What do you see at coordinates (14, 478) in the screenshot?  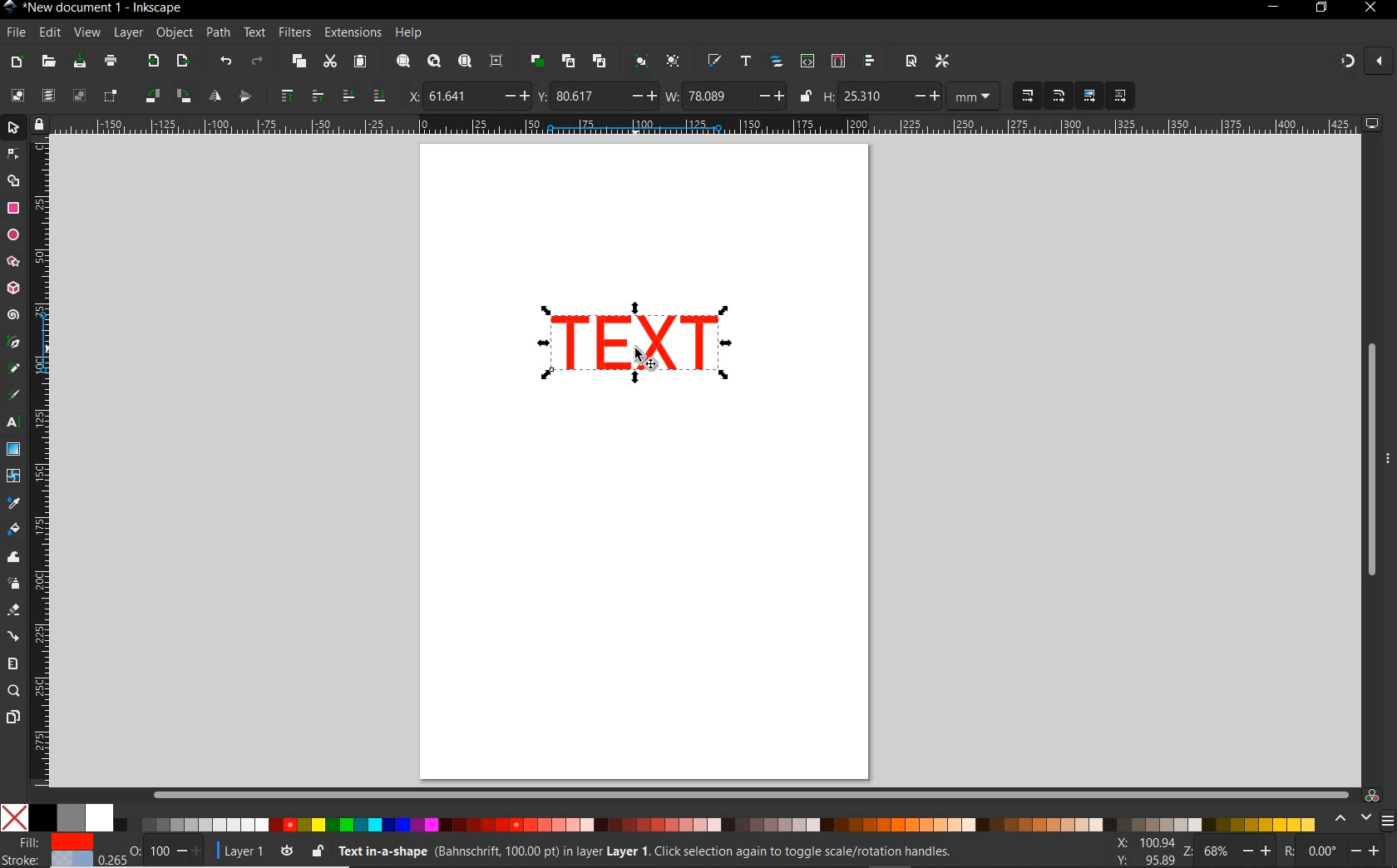 I see `mesh tool` at bounding box center [14, 478].